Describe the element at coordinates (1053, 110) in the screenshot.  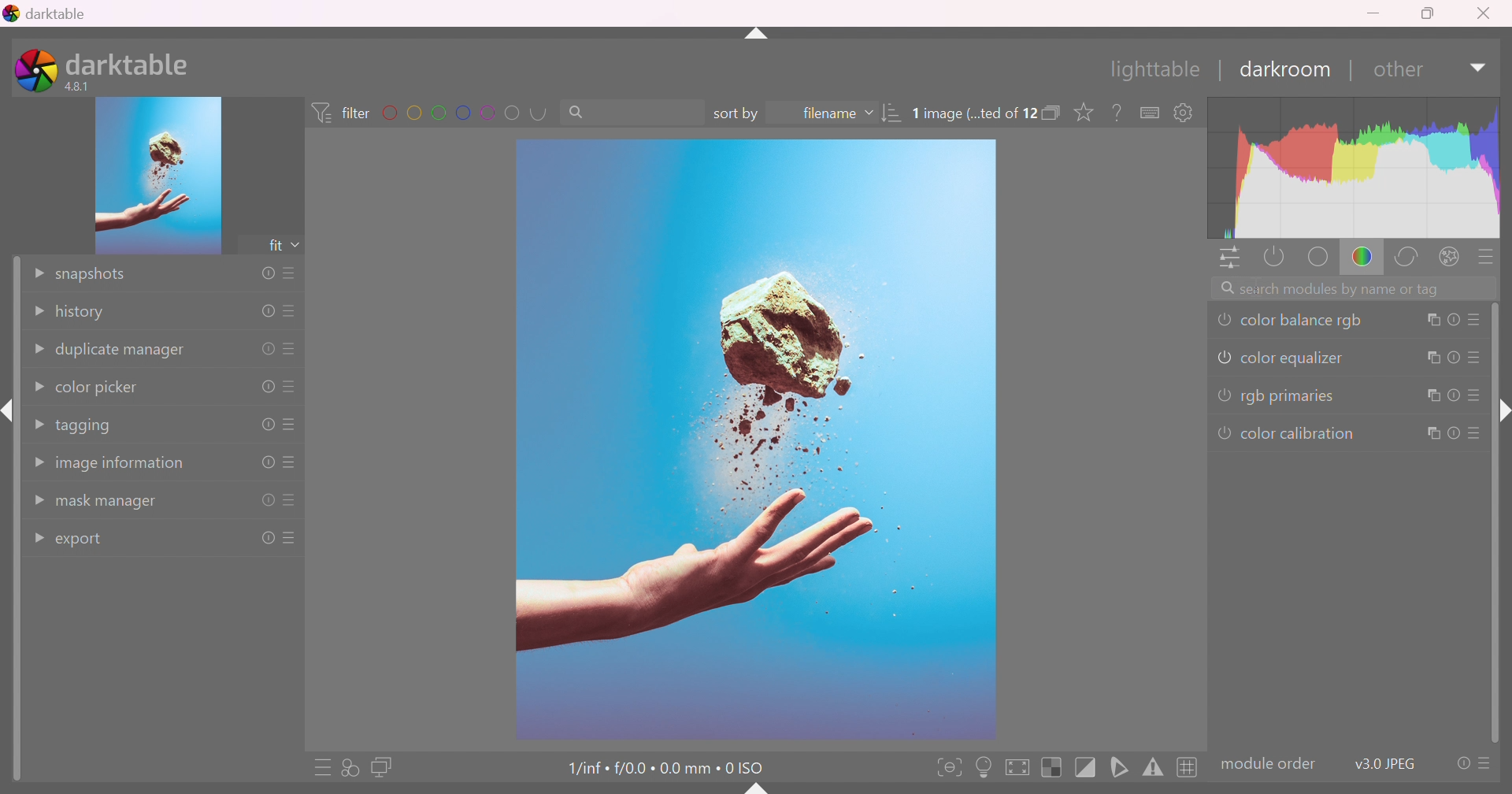
I see `collapse grouped images` at that location.